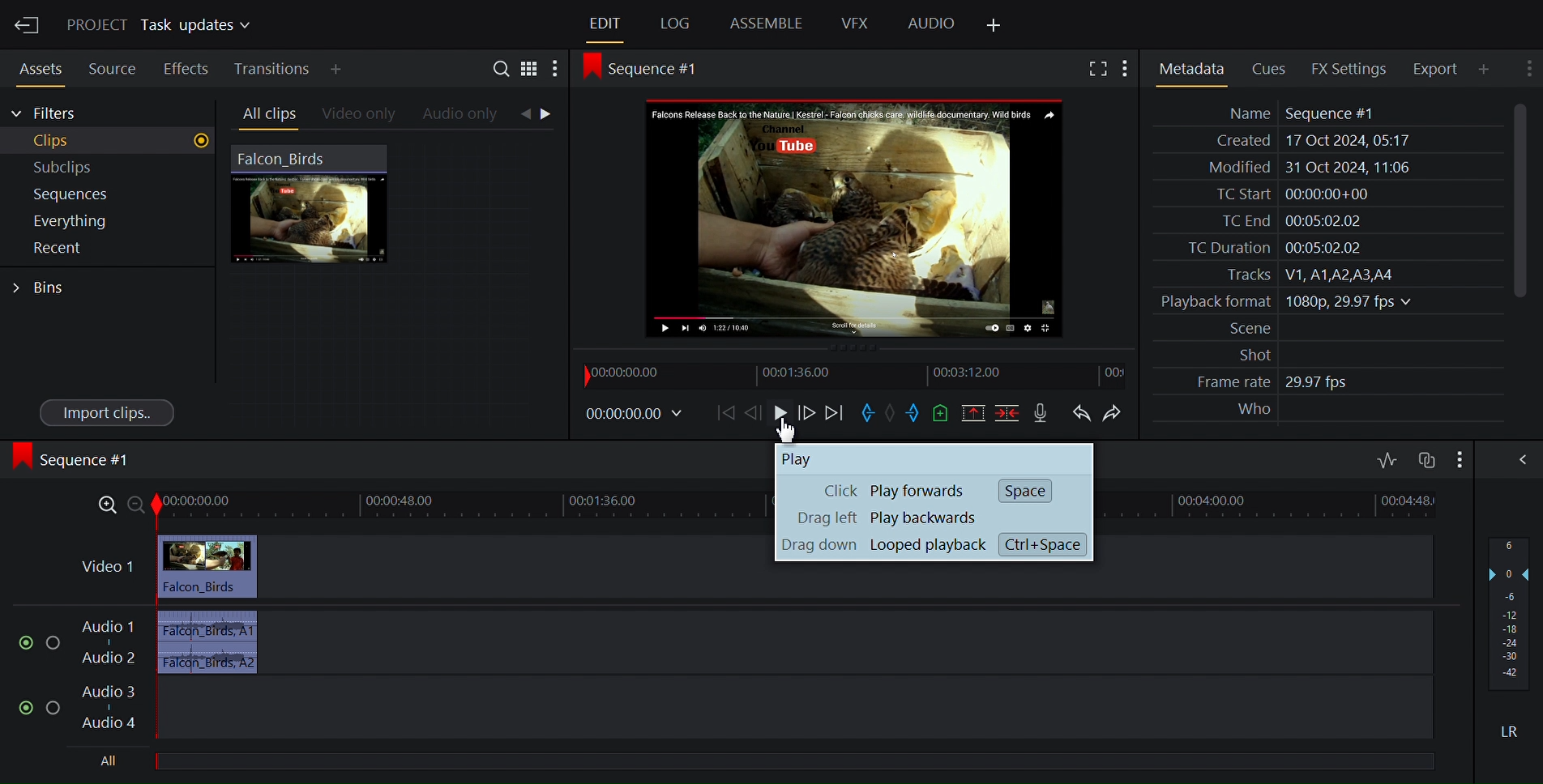 The image size is (1543, 784). What do you see at coordinates (358, 114) in the screenshot?
I see `Videos only` at bounding box center [358, 114].